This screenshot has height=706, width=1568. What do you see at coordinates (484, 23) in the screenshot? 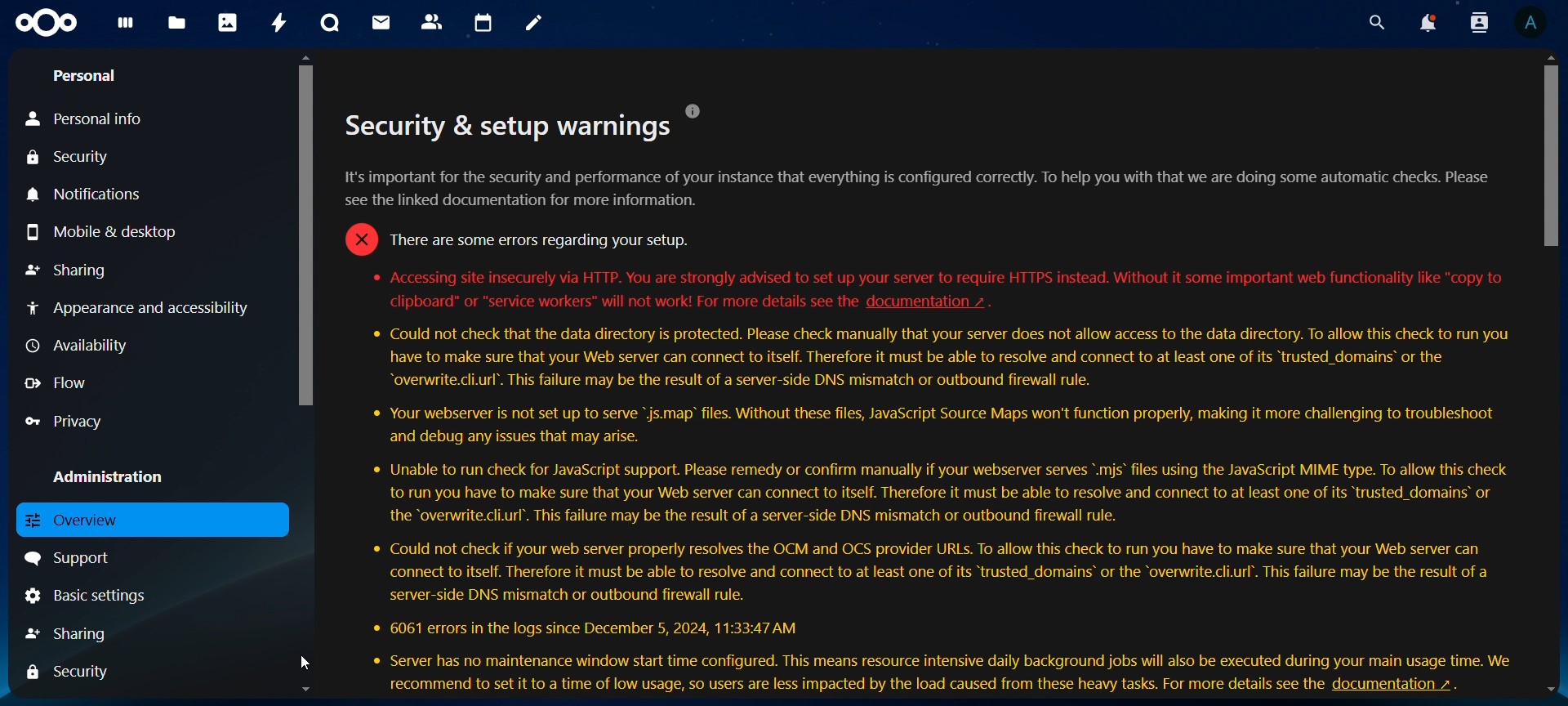
I see `calendar` at bounding box center [484, 23].